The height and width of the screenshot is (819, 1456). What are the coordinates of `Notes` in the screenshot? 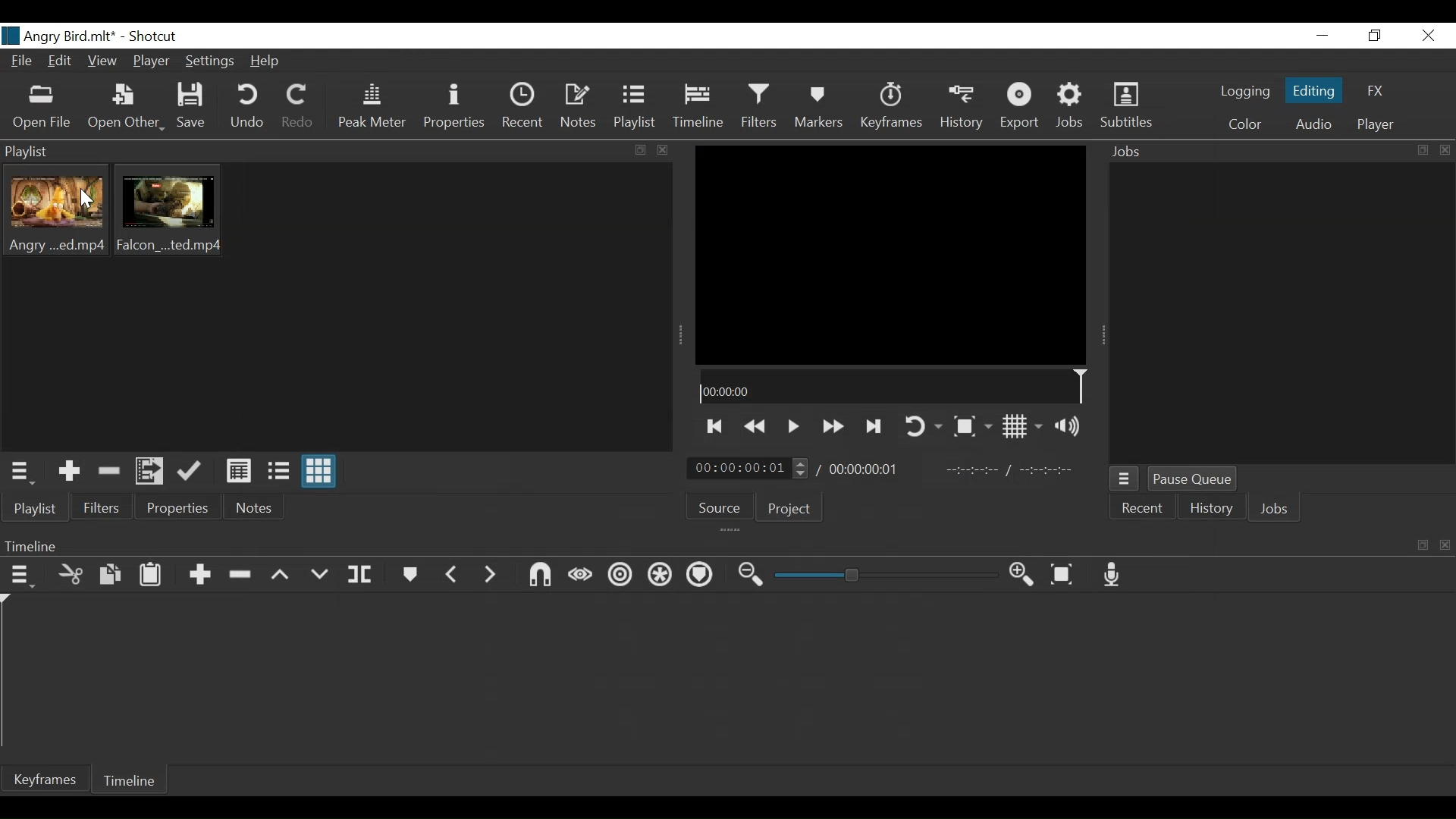 It's located at (581, 106).